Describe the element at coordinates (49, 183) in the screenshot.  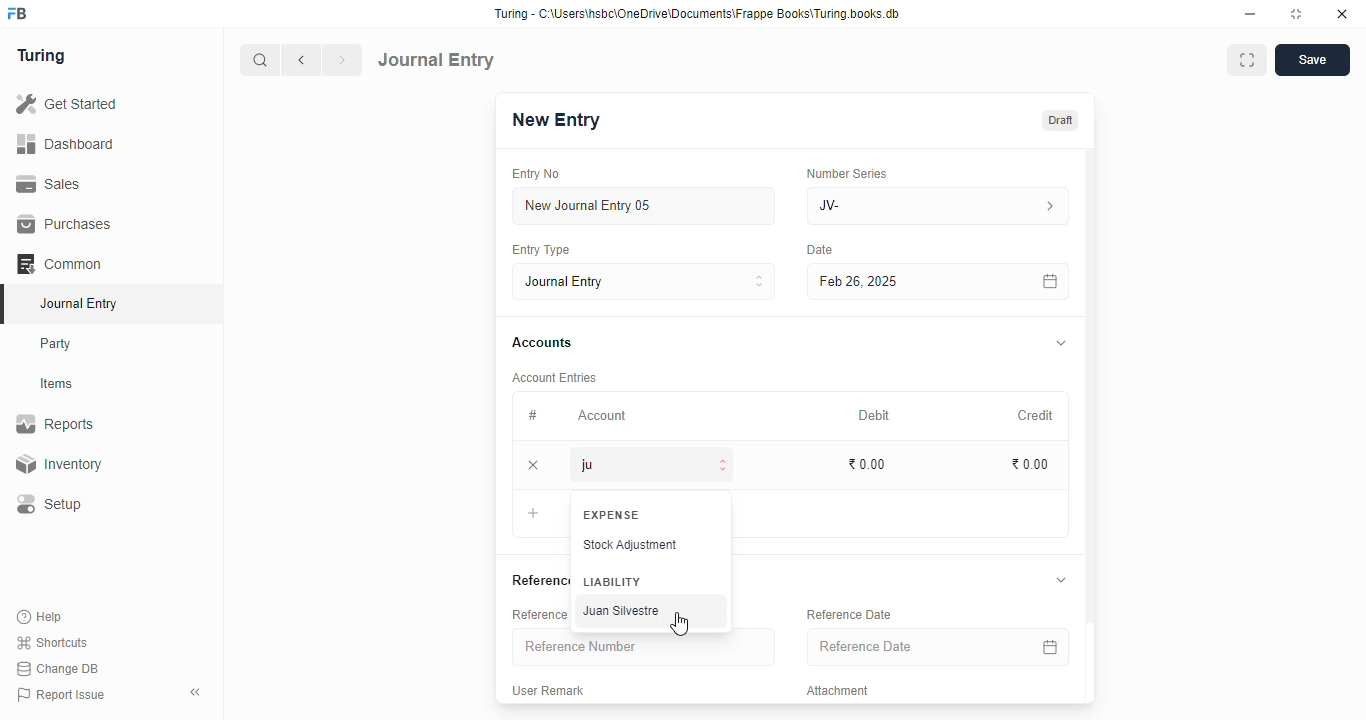
I see `sales` at that location.